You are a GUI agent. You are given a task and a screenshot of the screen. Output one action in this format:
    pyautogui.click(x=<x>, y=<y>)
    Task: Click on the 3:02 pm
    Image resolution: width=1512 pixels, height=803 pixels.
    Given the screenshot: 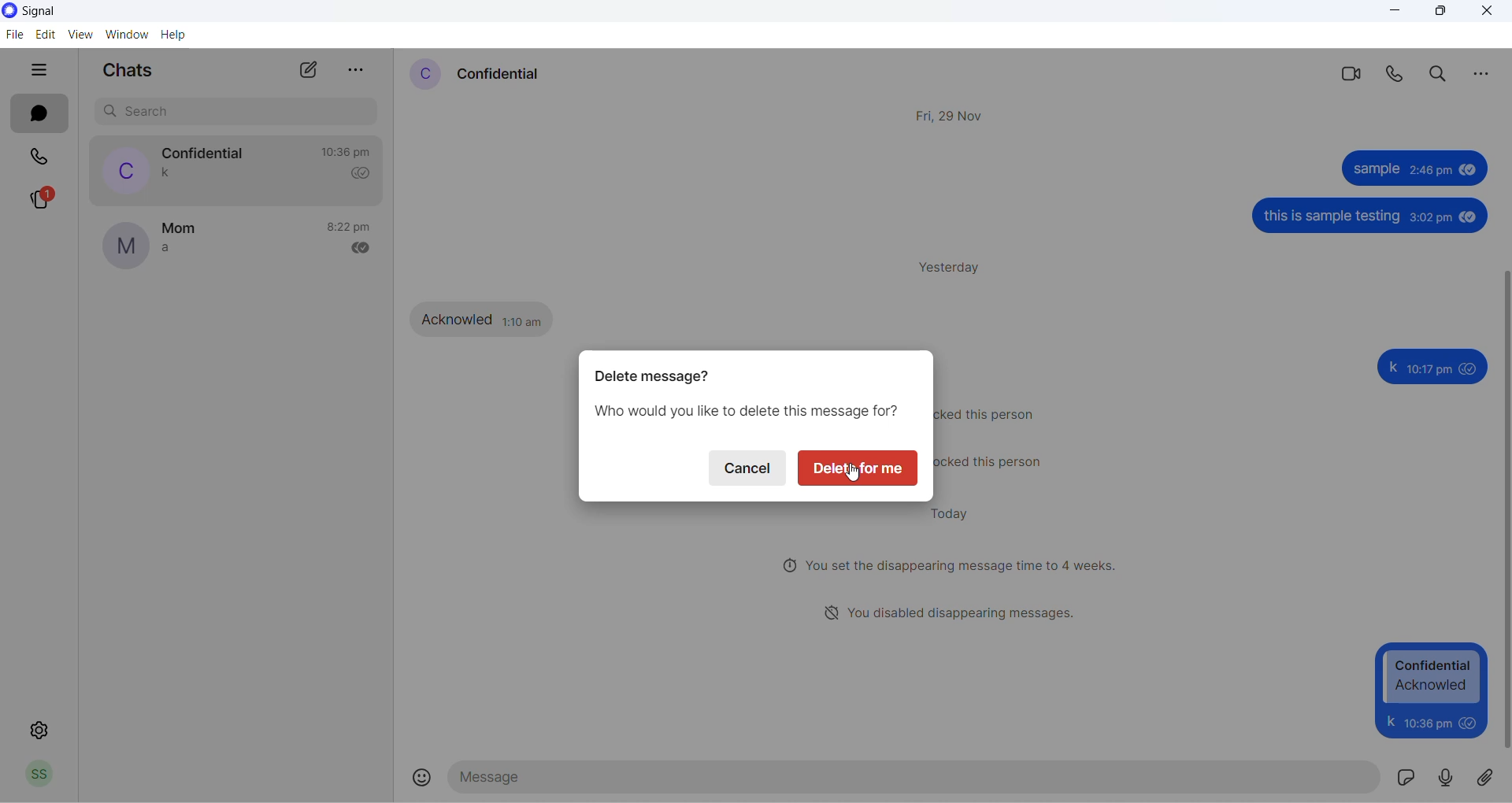 What is the action you would take?
    pyautogui.click(x=1430, y=219)
    